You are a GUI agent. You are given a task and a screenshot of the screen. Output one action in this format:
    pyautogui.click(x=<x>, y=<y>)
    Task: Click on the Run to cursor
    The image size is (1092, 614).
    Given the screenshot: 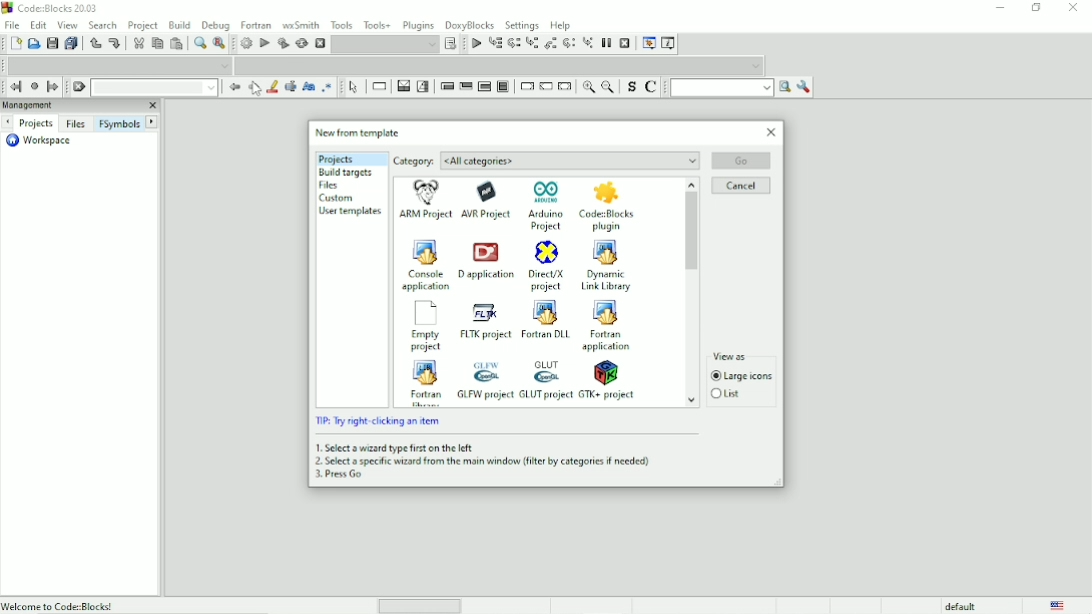 What is the action you would take?
    pyautogui.click(x=495, y=44)
    